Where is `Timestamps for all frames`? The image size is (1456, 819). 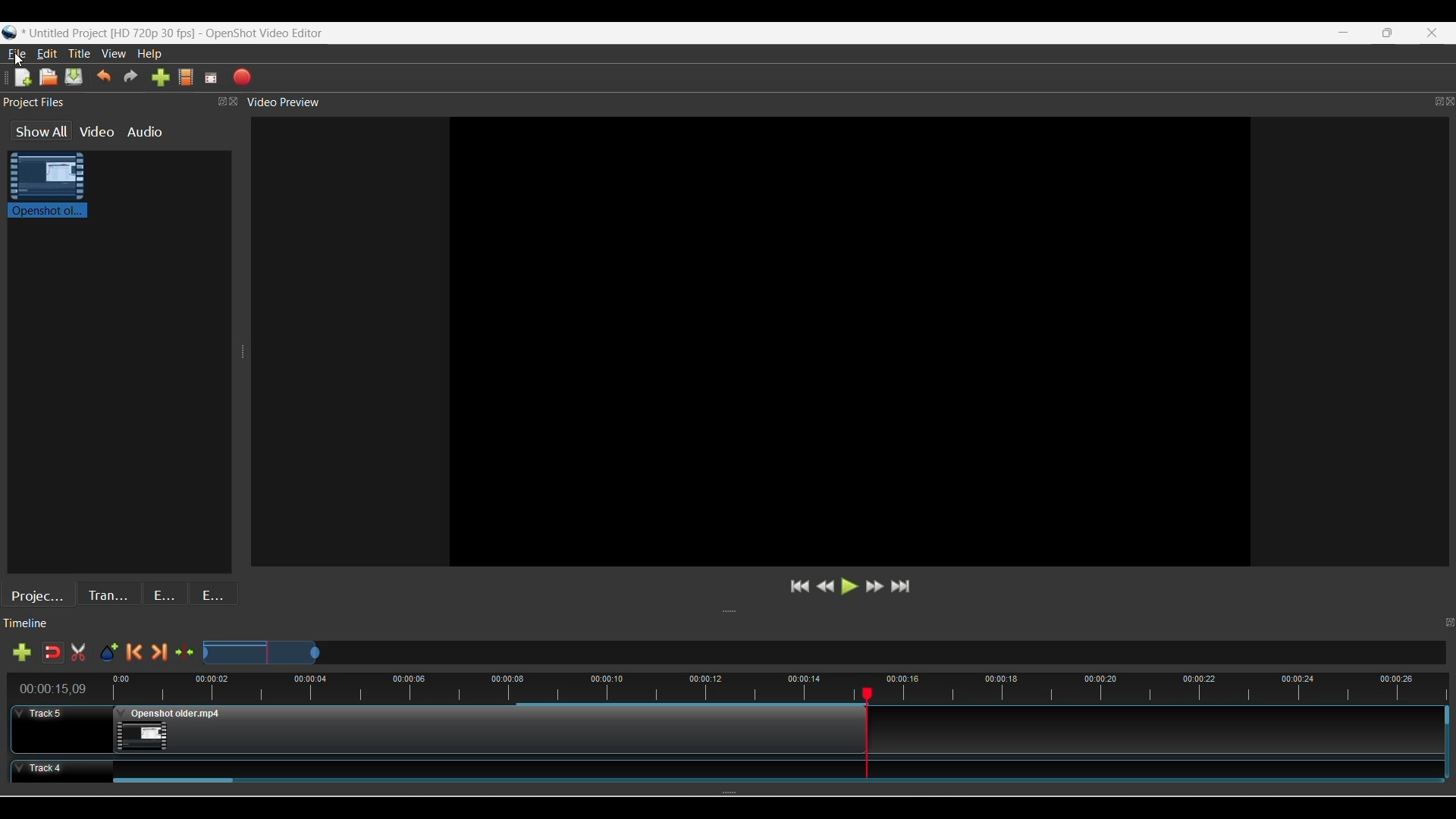 Timestamps for all frames is located at coordinates (482, 686).